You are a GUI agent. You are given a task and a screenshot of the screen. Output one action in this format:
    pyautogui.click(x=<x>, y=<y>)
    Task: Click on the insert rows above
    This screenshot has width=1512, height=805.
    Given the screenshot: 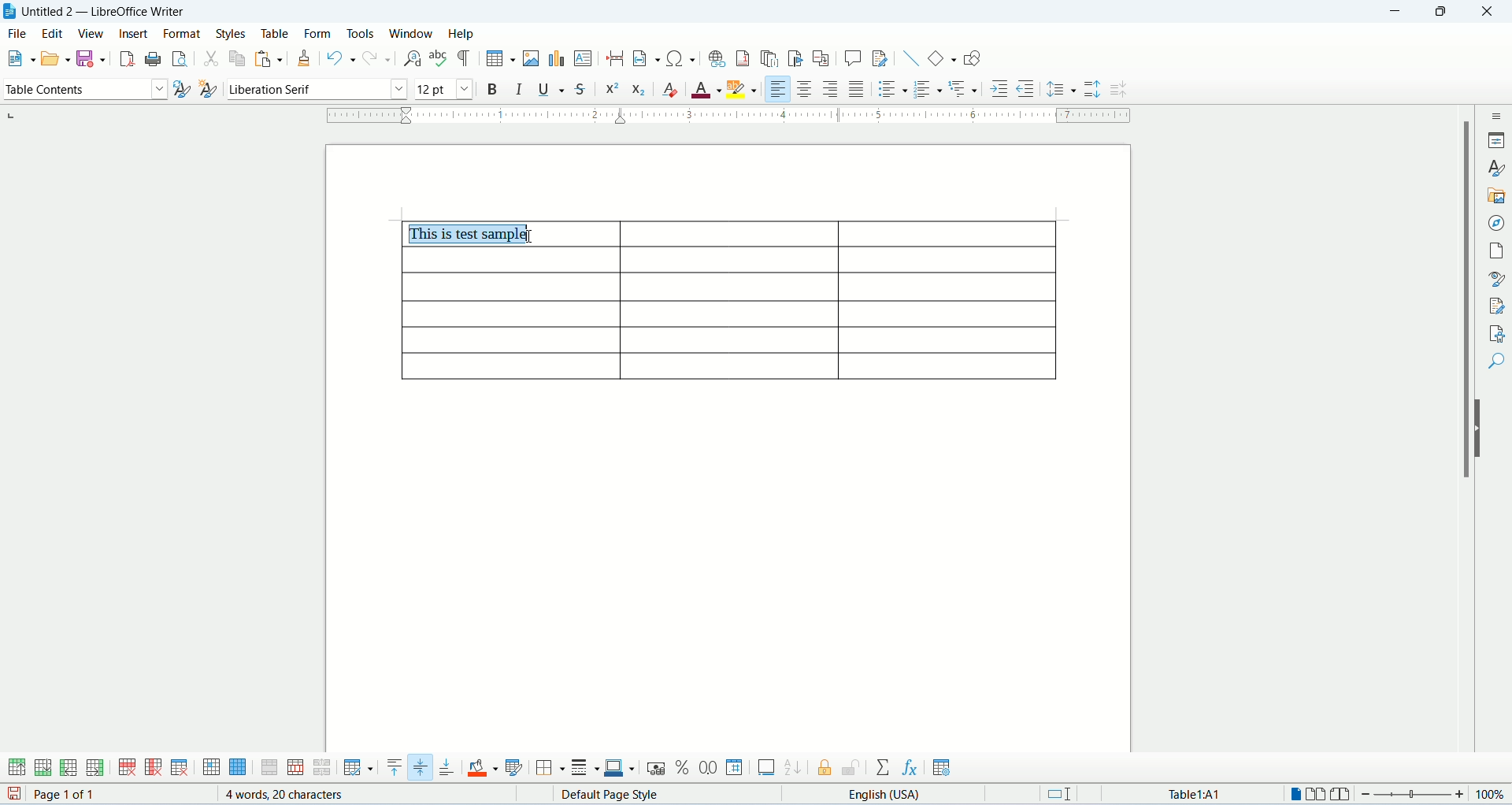 What is the action you would take?
    pyautogui.click(x=15, y=768)
    